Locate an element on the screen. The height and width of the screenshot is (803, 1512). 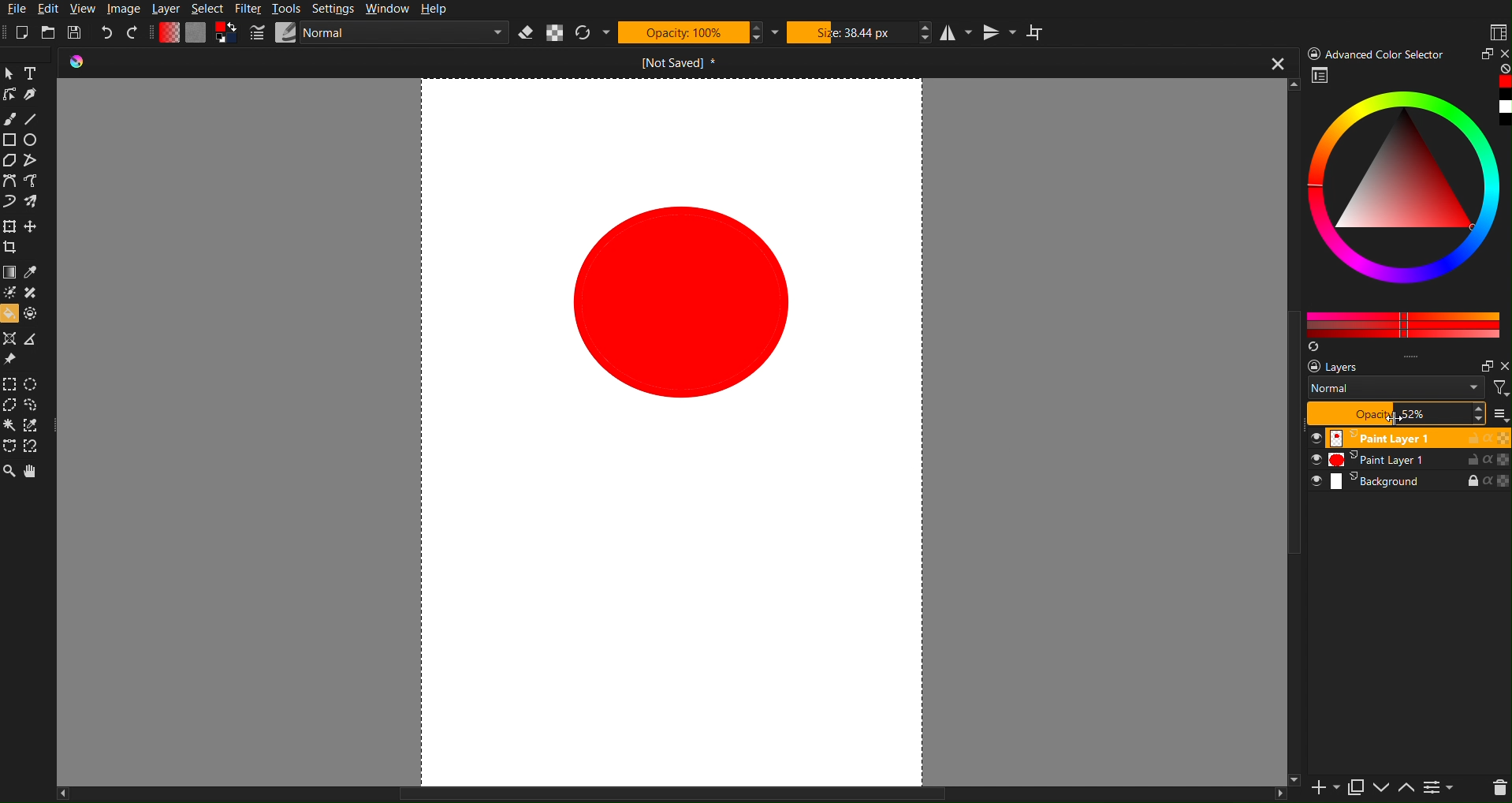
New is located at coordinates (17, 34).